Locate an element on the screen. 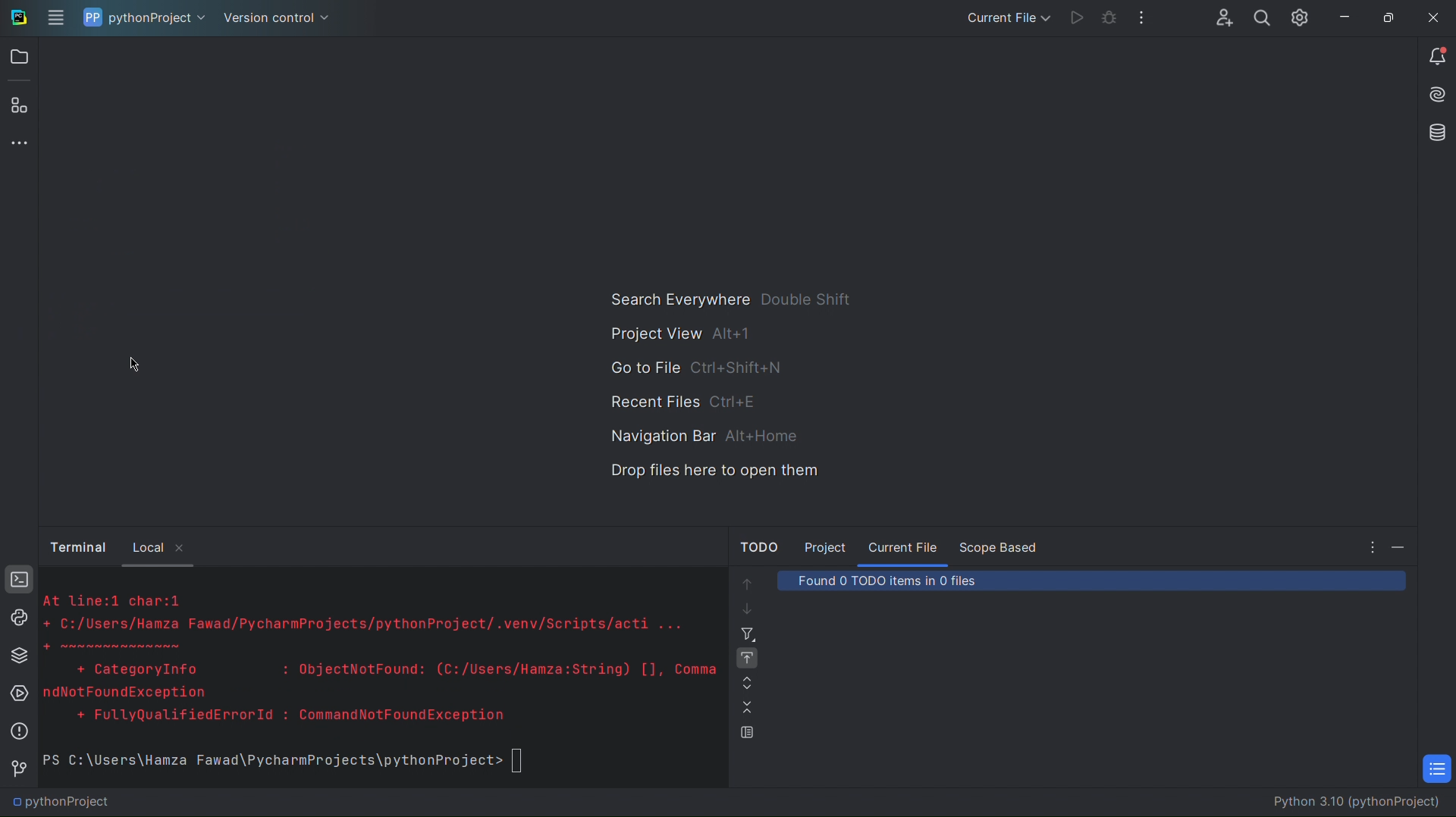 Image resolution: width=1456 pixels, height=817 pixels. Project is located at coordinates (821, 543).